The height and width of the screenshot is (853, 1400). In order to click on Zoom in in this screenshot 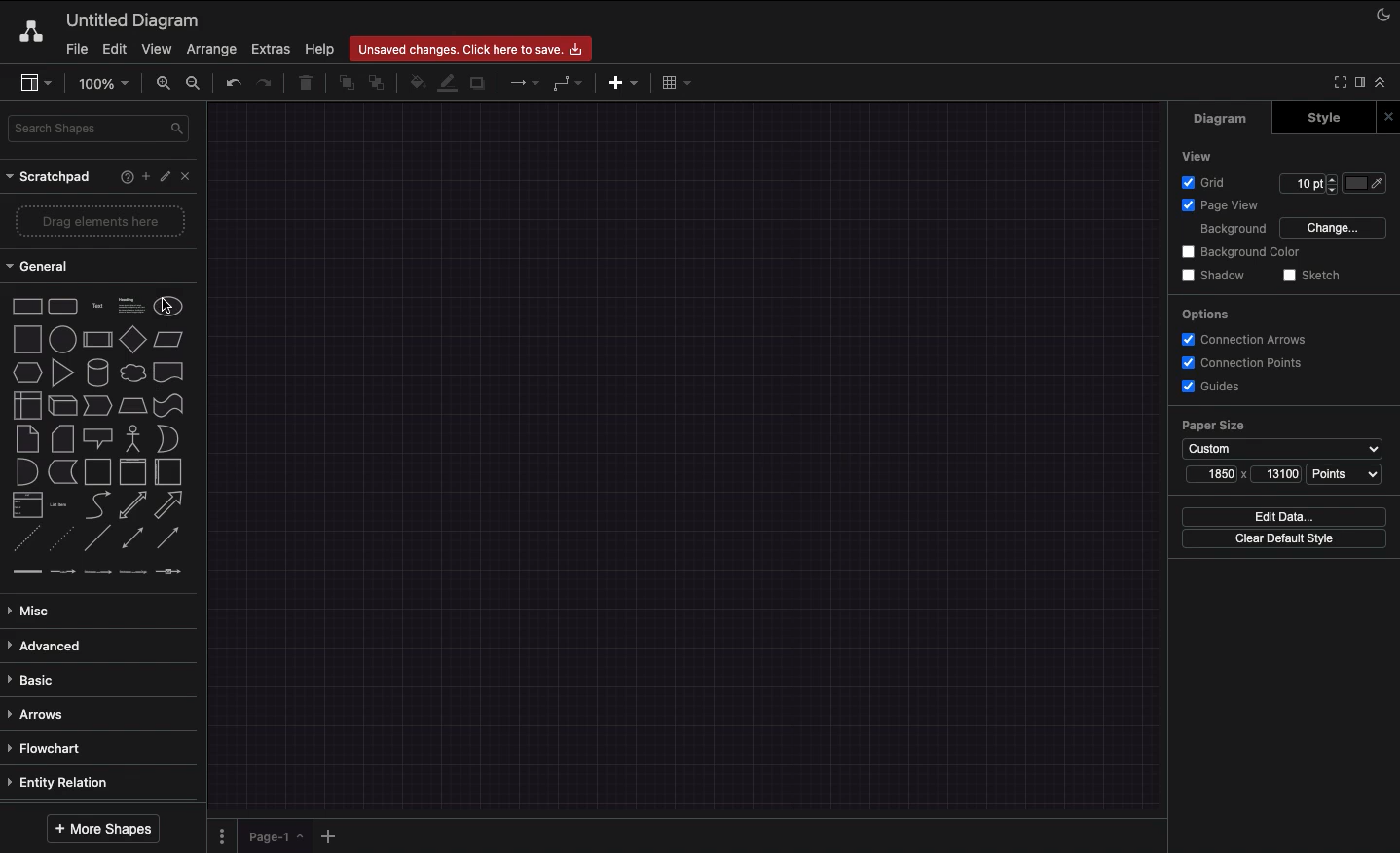, I will do `click(163, 84)`.